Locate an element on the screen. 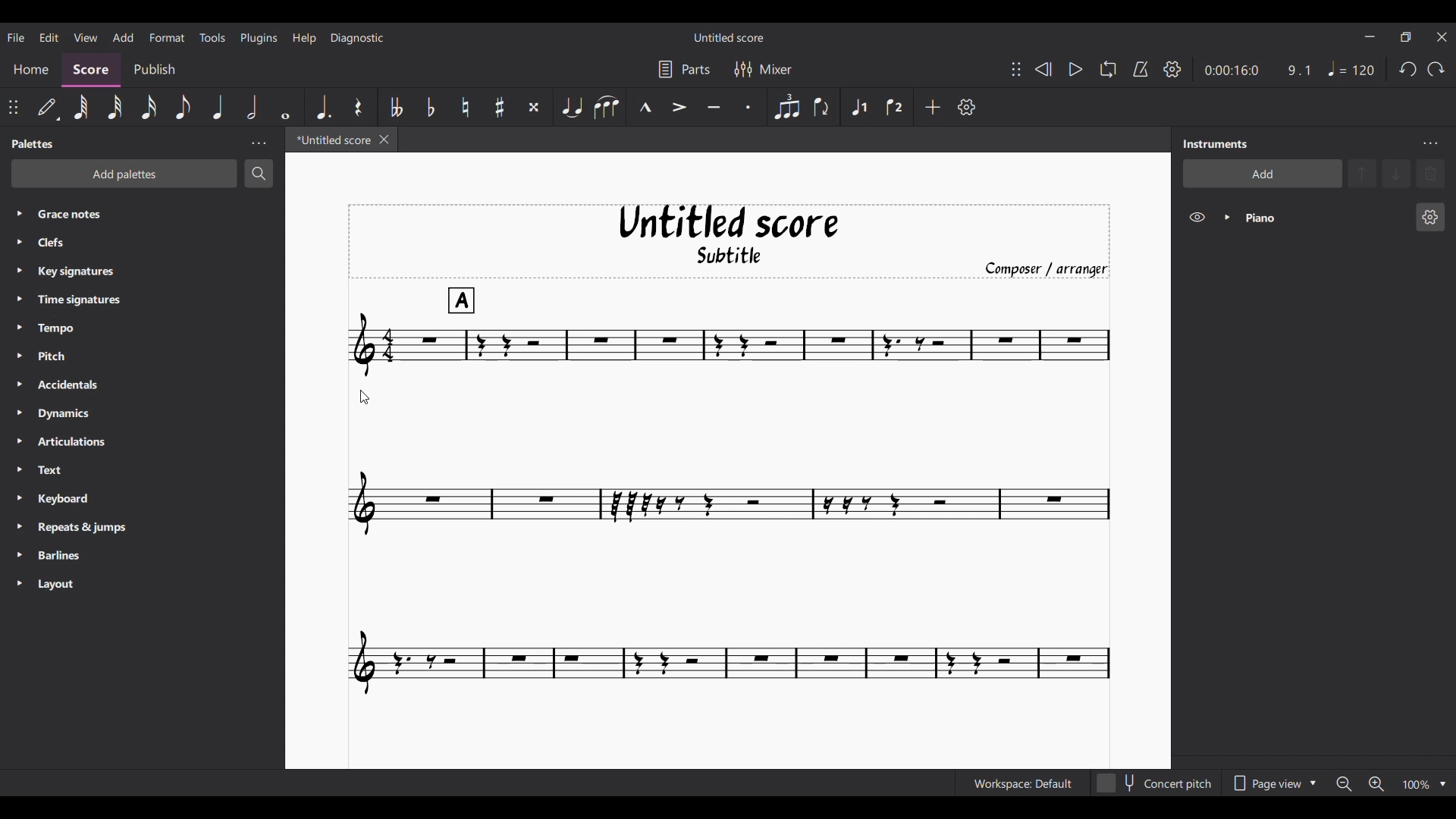  Current tab is located at coordinates (329, 140).